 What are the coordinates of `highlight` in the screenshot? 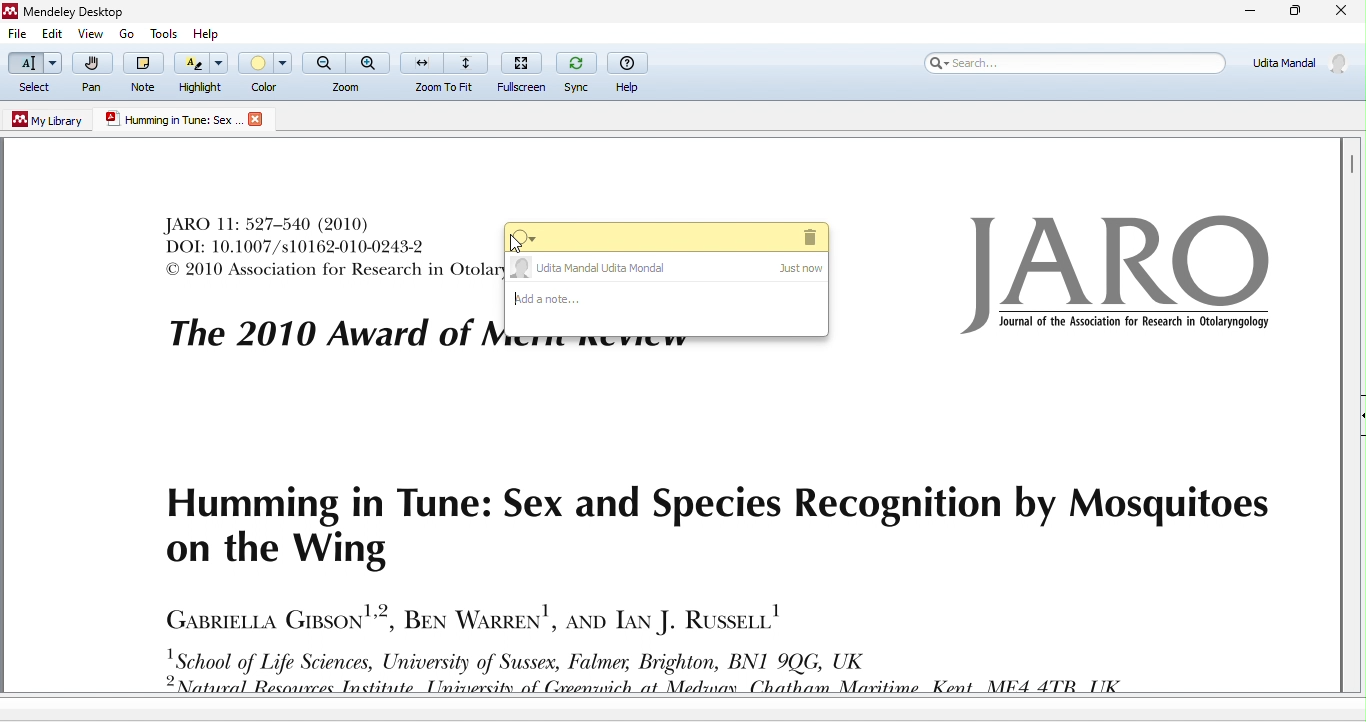 It's located at (202, 73).